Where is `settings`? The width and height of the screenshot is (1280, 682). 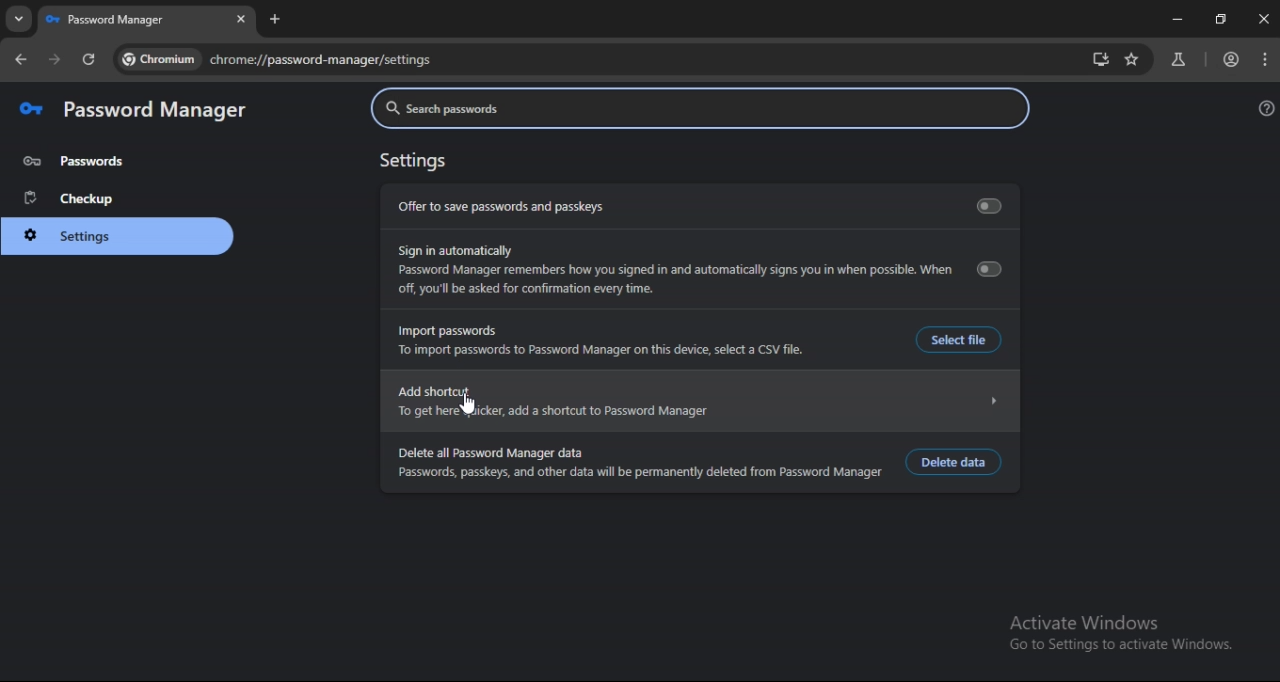 settings is located at coordinates (413, 161).